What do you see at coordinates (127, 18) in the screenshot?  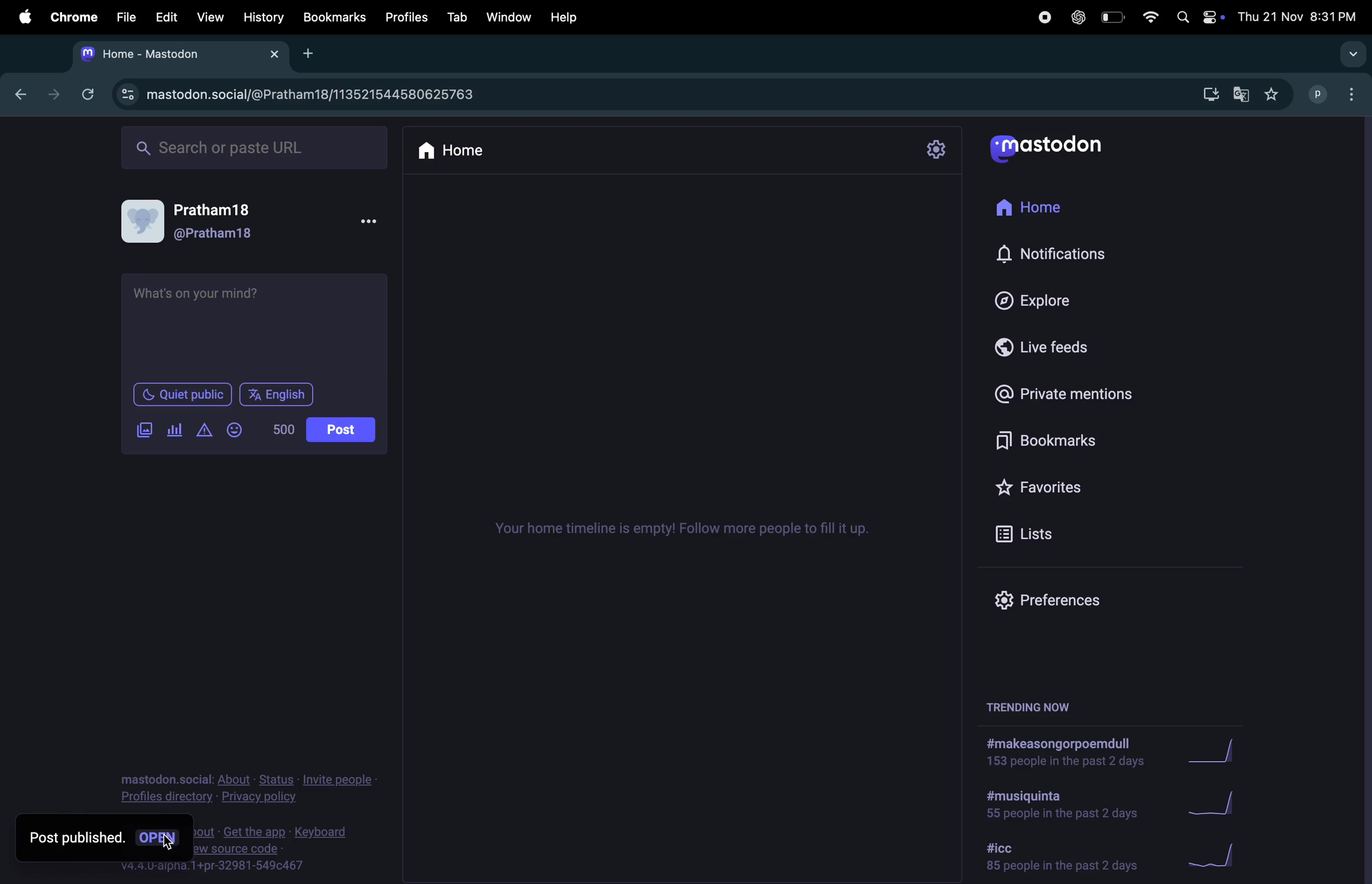 I see `file` at bounding box center [127, 18].